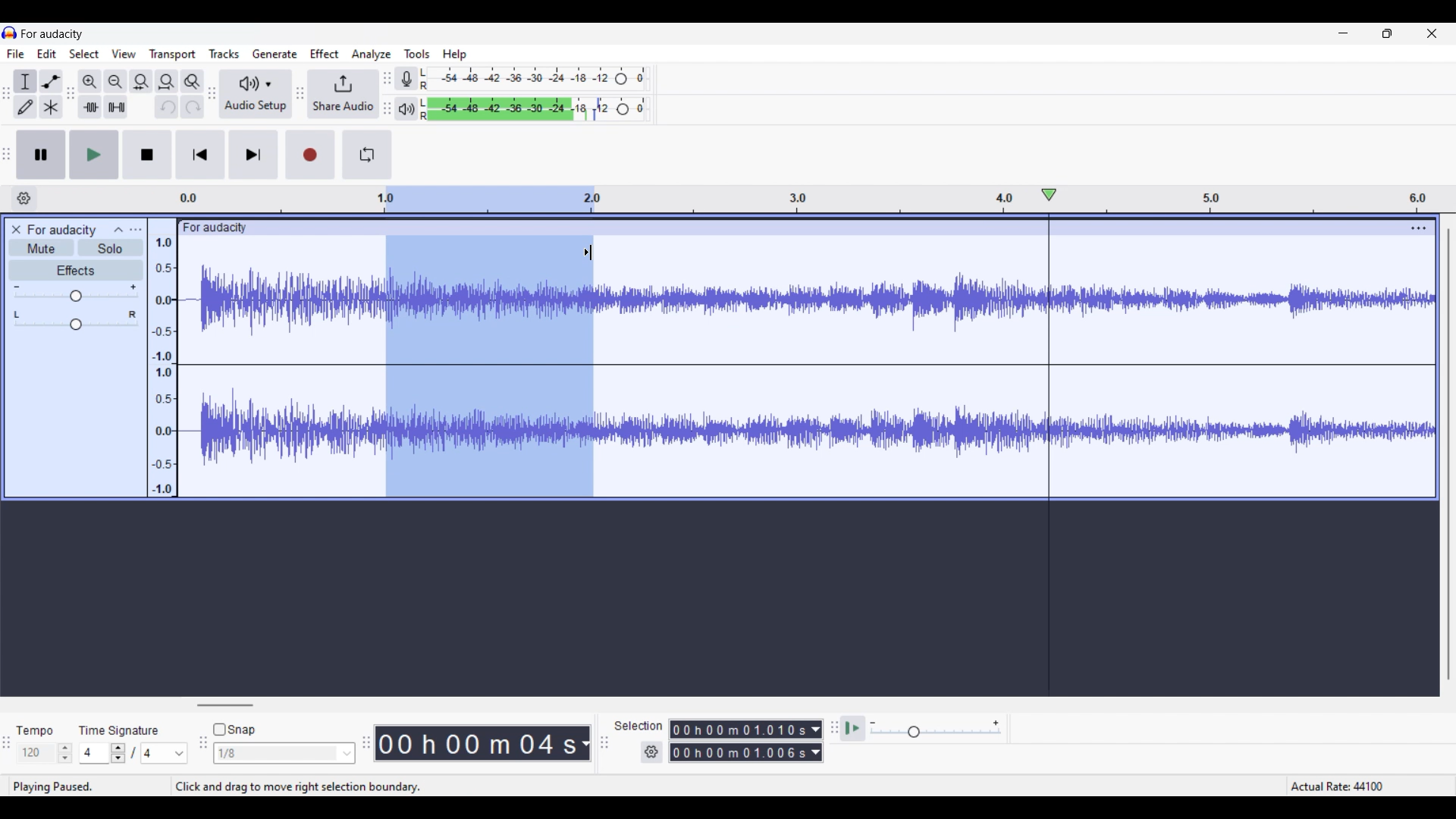  What do you see at coordinates (116, 81) in the screenshot?
I see `Zoom out` at bounding box center [116, 81].